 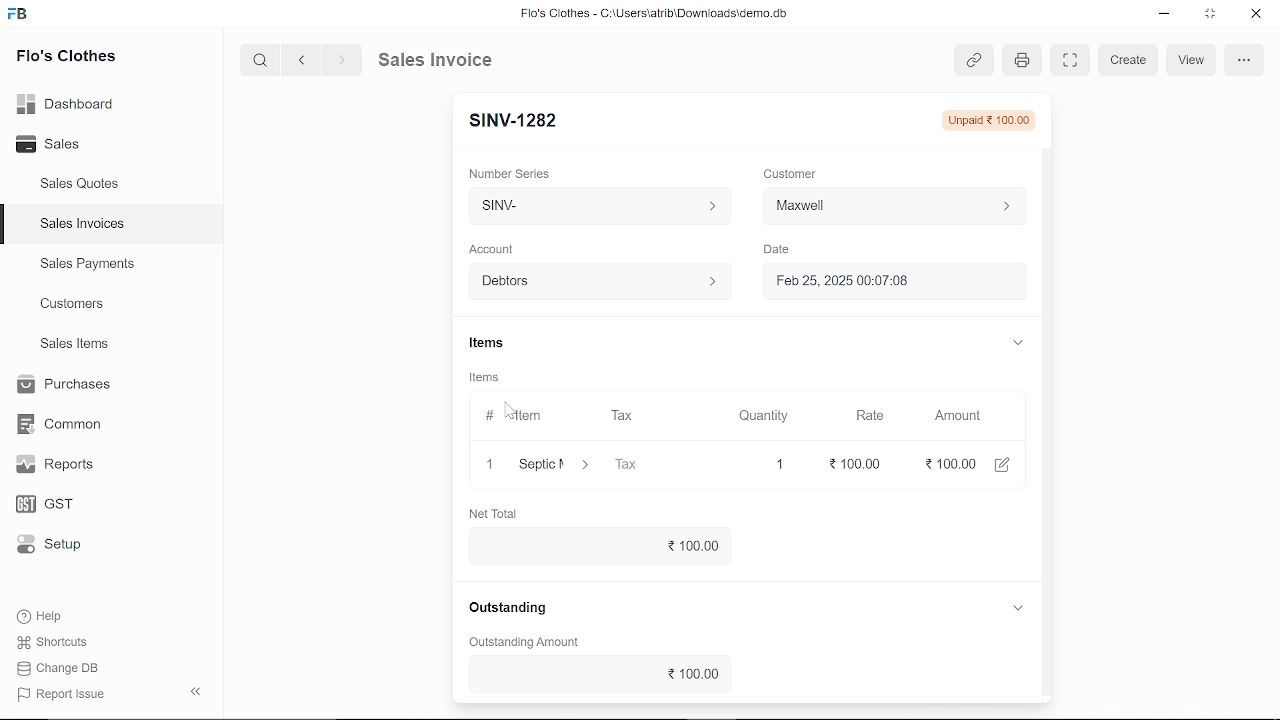 What do you see at coordinates (992, 119) in the screenshot?
I see `unpaid 100.00` at bounding box center [992, 119].